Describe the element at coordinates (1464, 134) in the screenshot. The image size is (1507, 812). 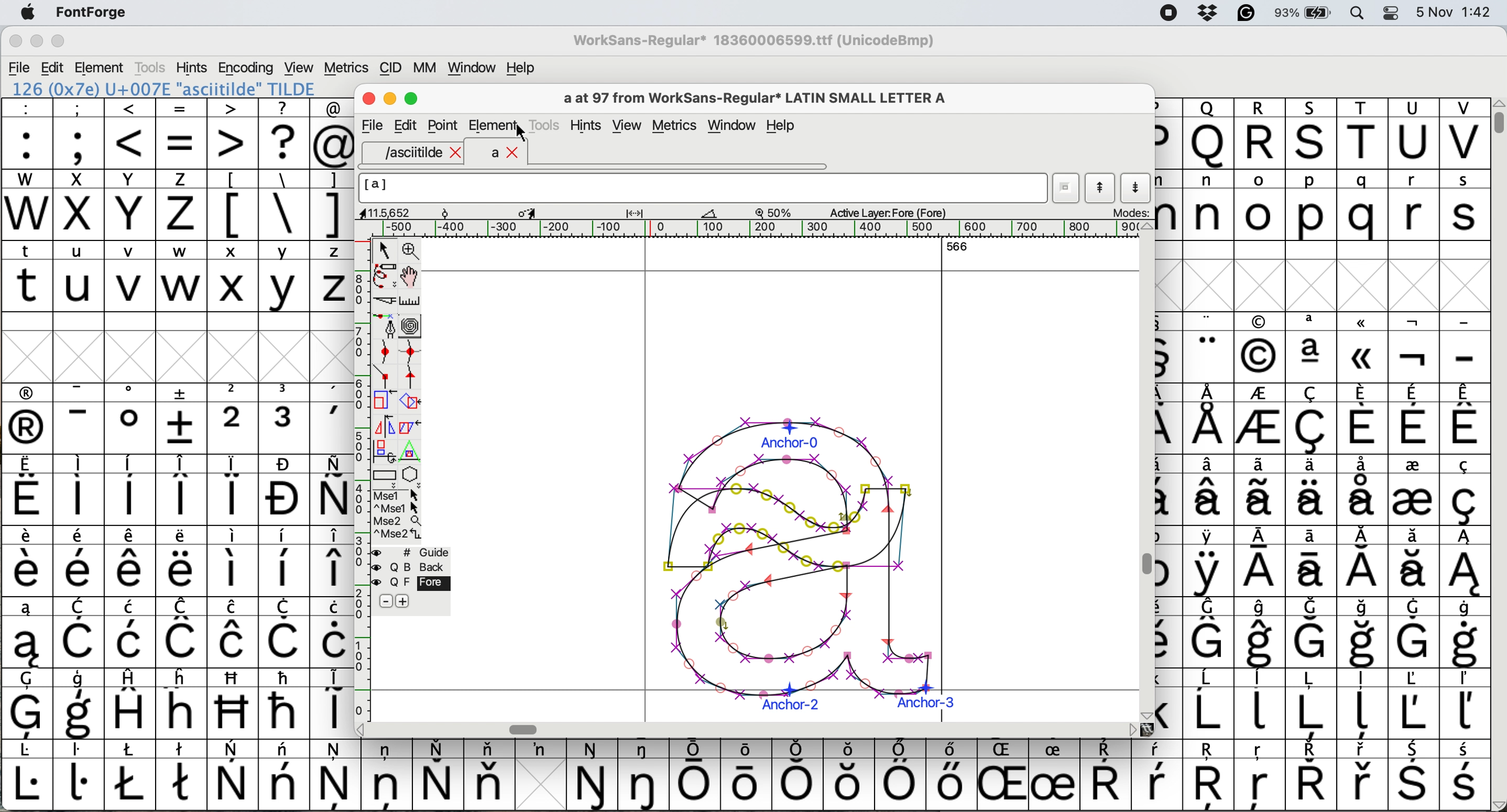
I see `V` at that location.